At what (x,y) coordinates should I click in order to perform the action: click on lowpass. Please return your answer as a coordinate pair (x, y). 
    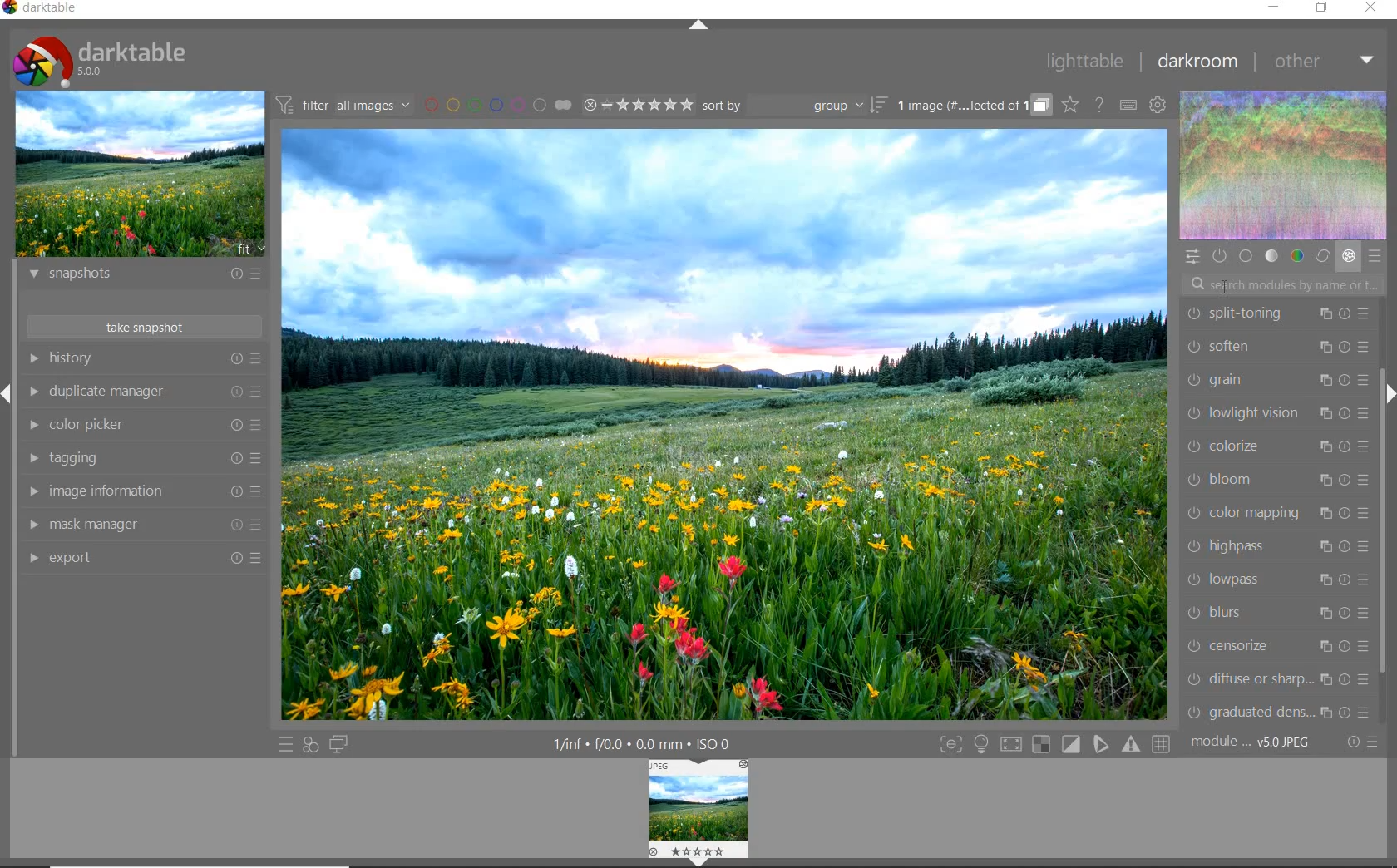
    Looking at the image, I should click on (1275, 581).